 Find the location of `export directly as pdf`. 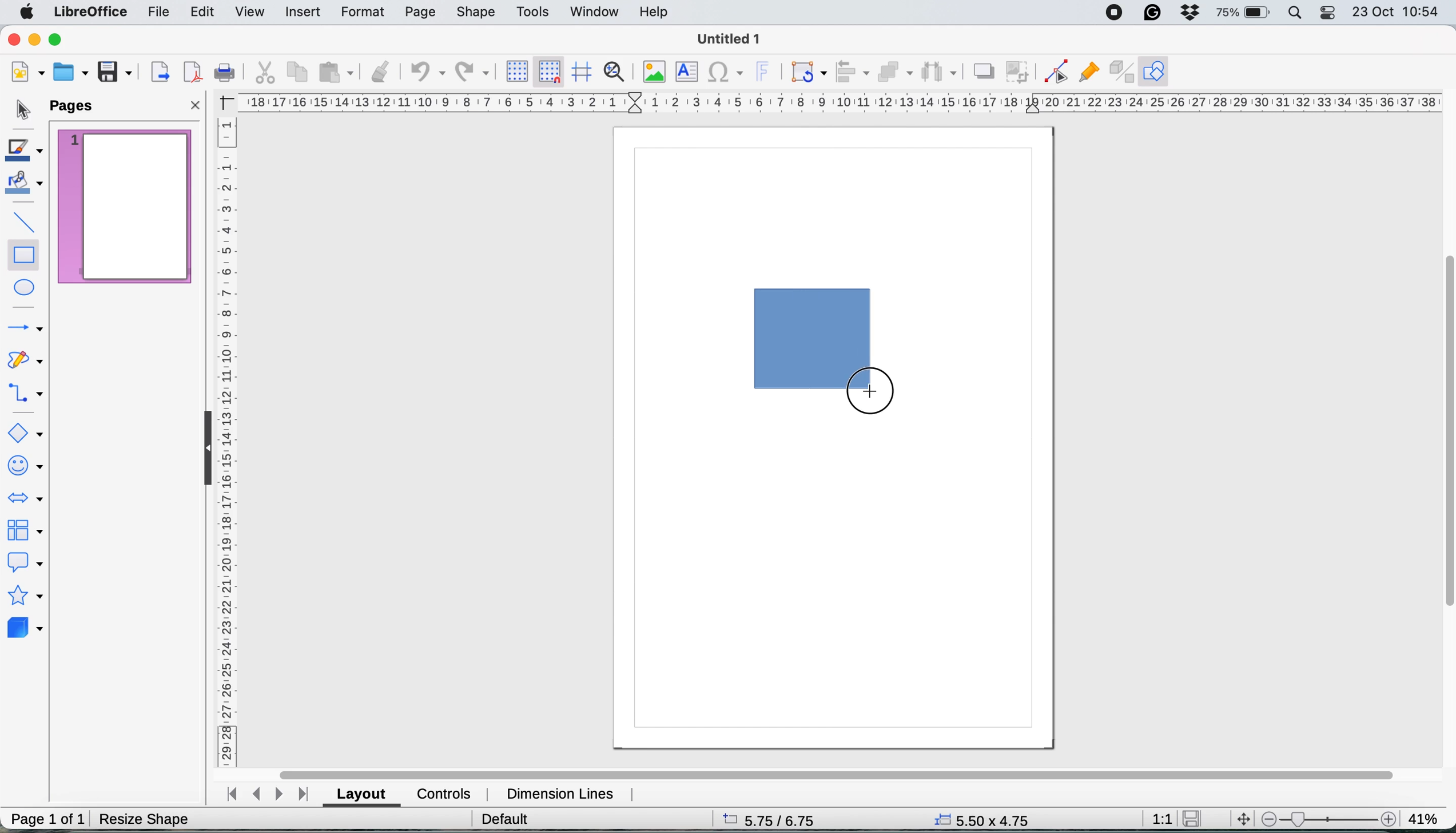

export directly as pdf is located at coordinates (193, 73).